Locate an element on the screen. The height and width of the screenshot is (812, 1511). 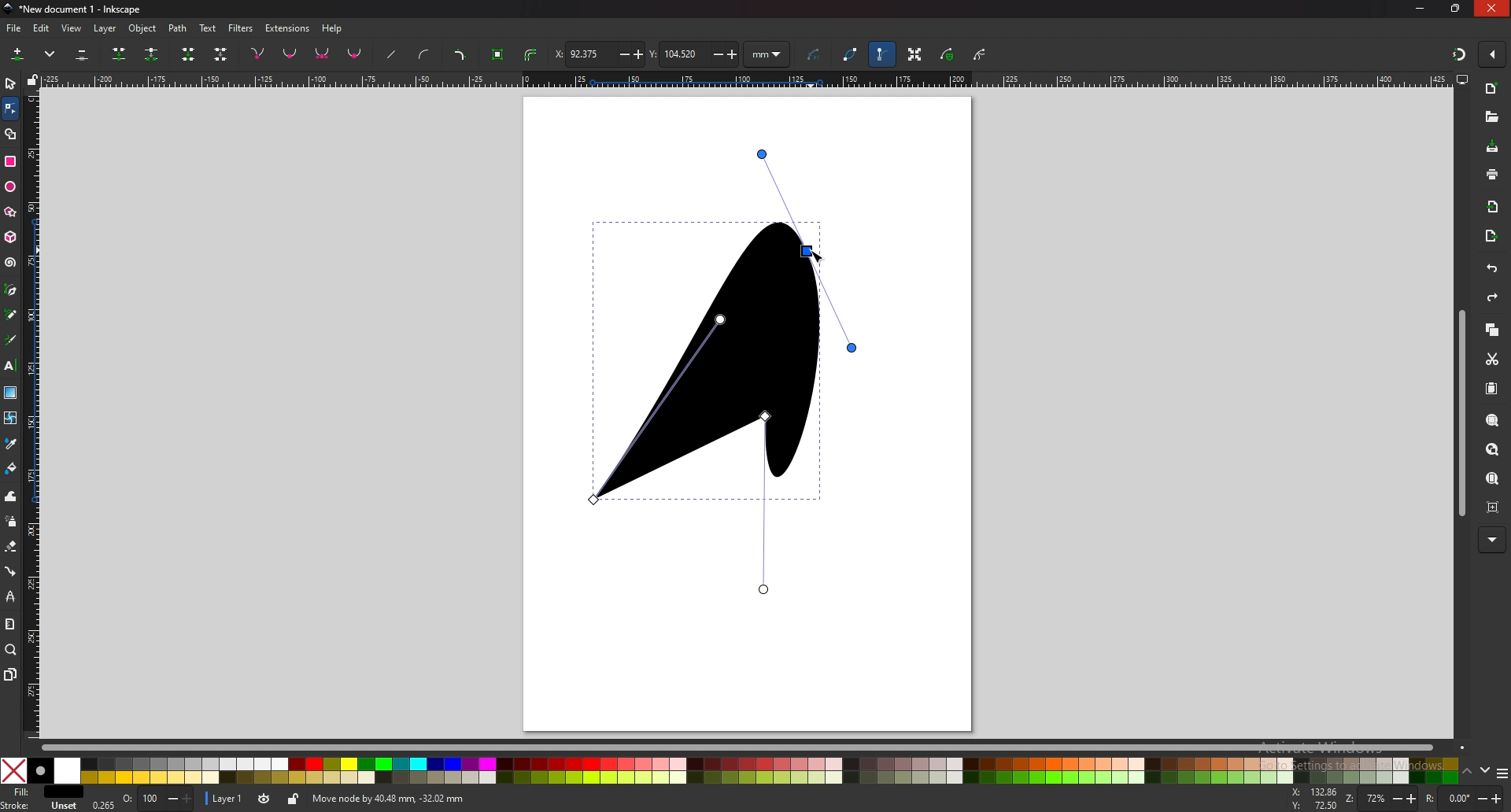
open is located at coordinates (1492, 117).